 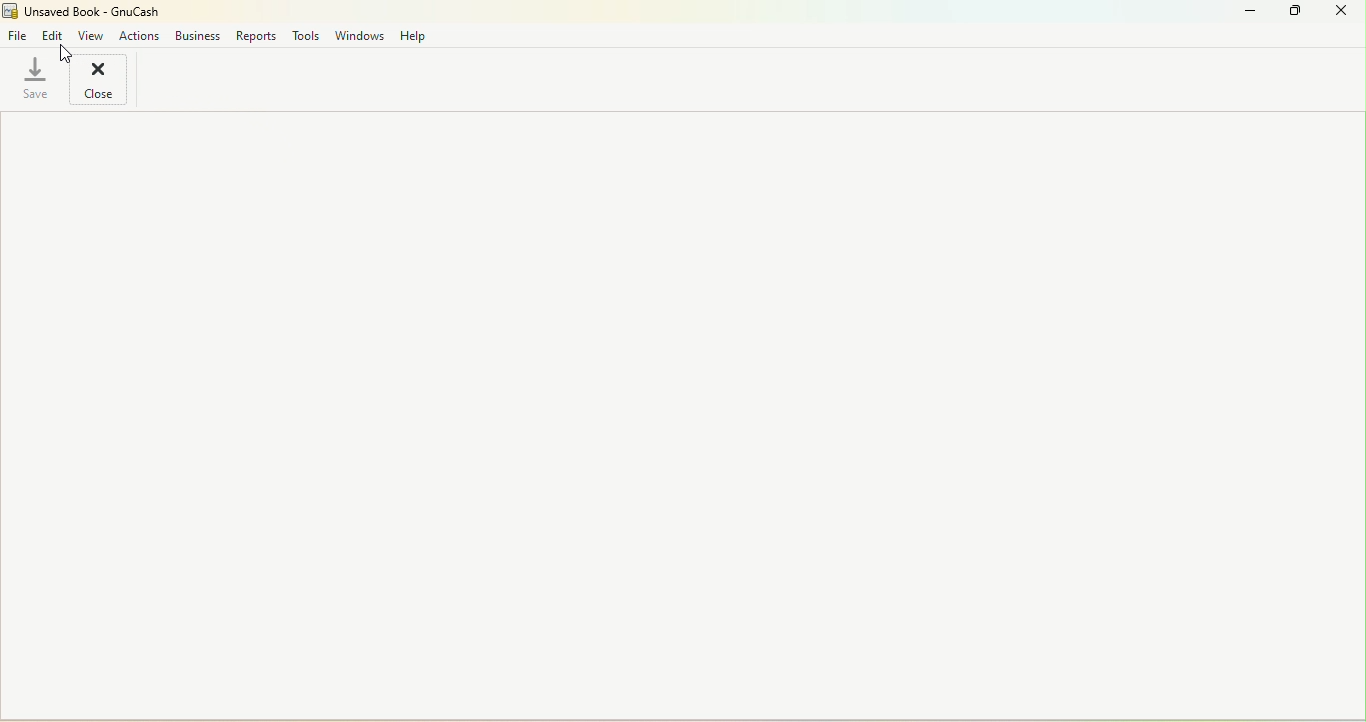 I want to click on Business, so click(x=197, y=35).